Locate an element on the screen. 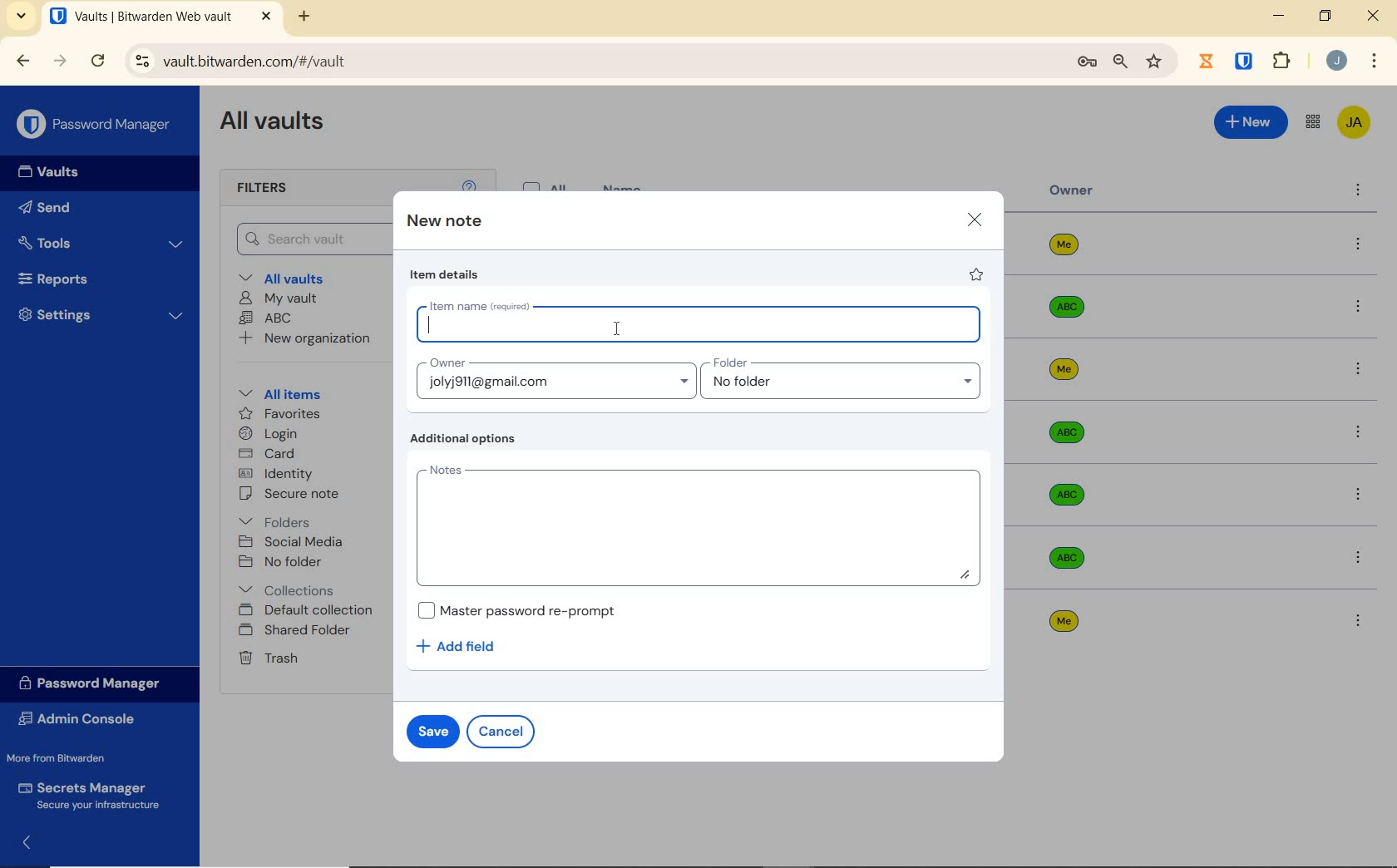 Image resolution: width=1397 pixels, height=868 pixels. Search Vault is located at coordinates (311, 238).